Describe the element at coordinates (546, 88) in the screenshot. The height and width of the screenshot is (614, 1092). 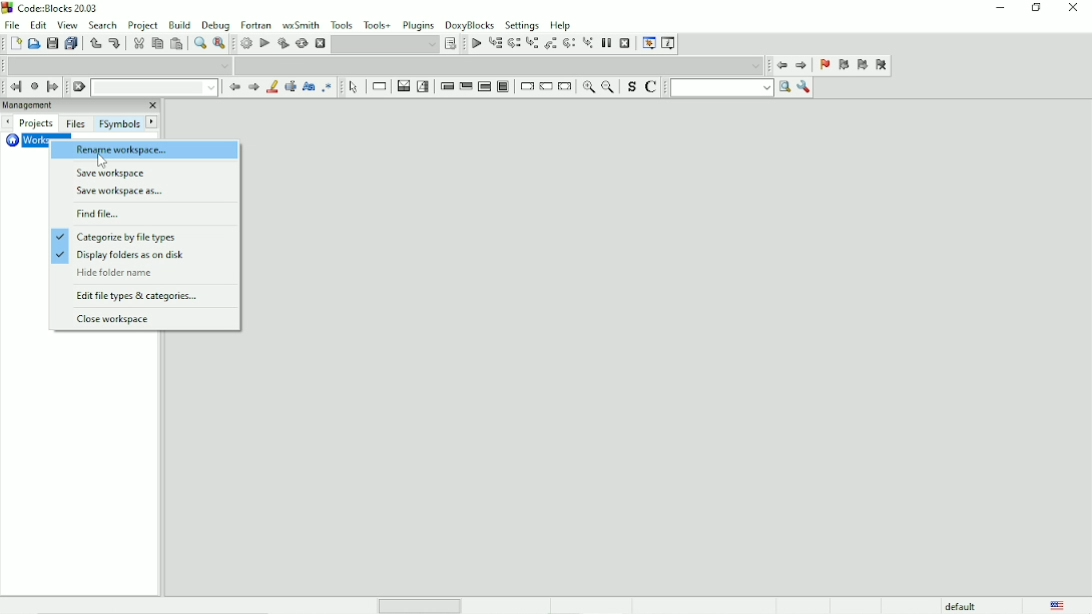
I see `Continue instruction` at that location.